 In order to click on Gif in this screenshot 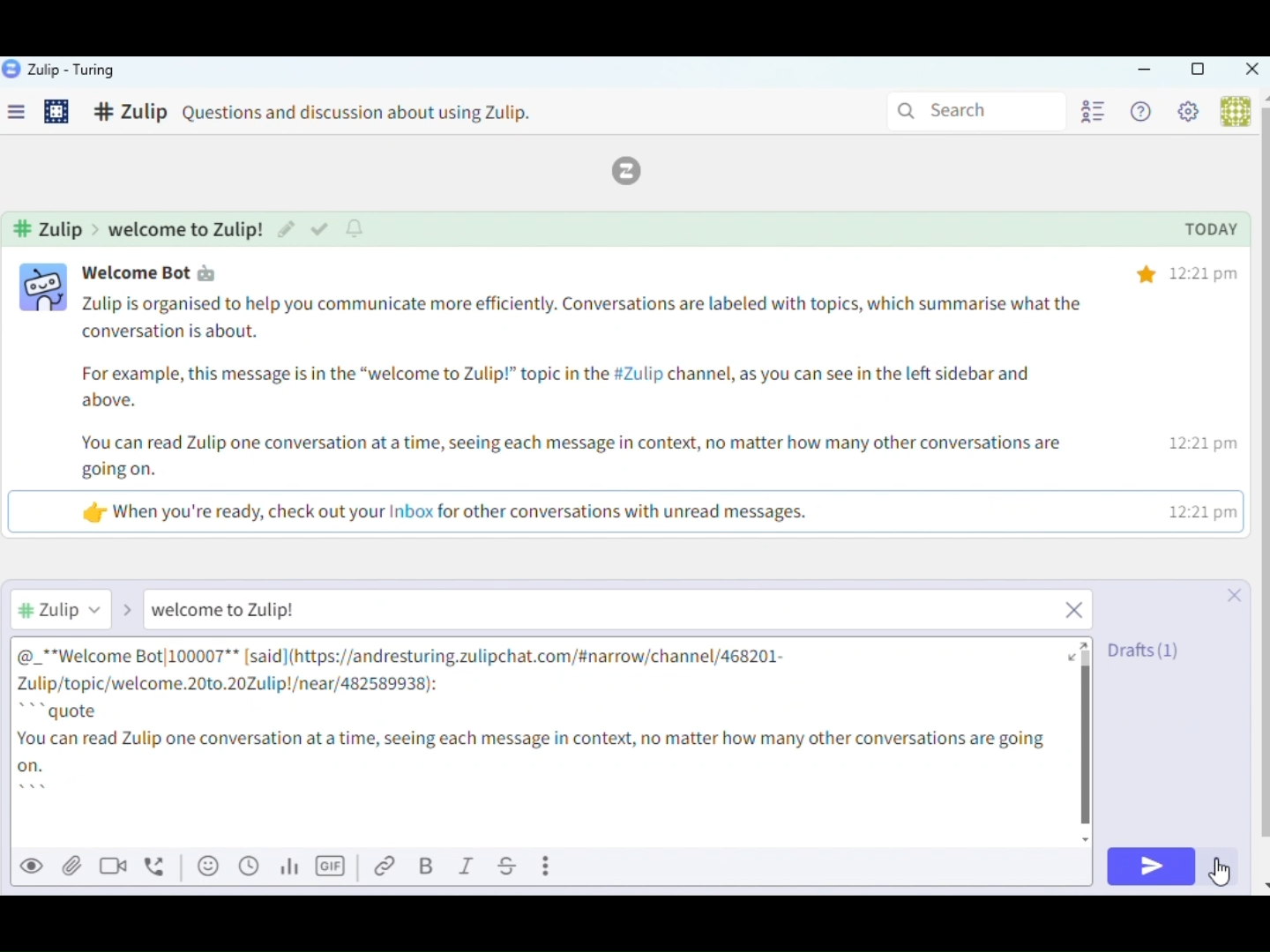, I will do `click(332, 867)`.